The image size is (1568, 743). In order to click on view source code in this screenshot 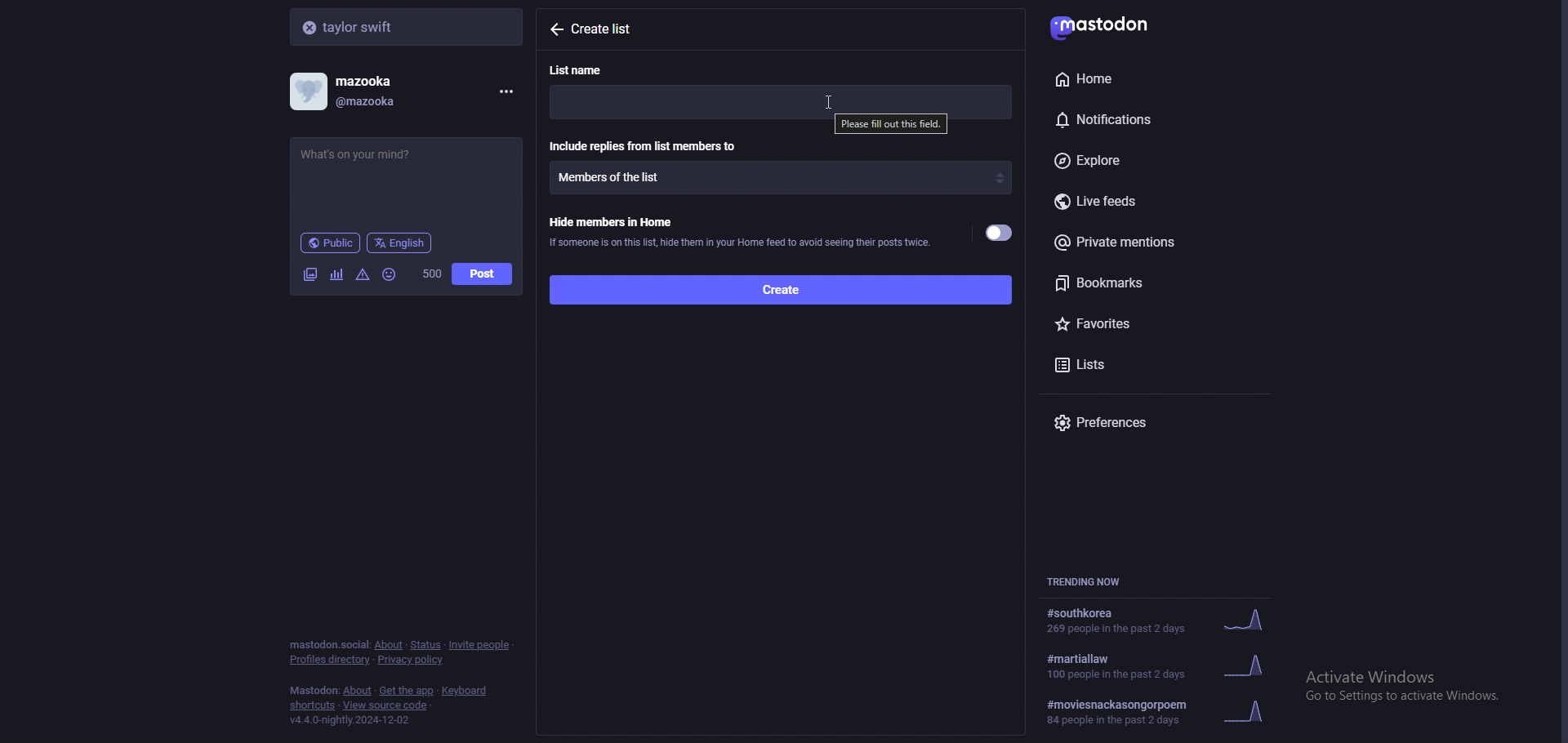, I will do `click(385, 706)`.